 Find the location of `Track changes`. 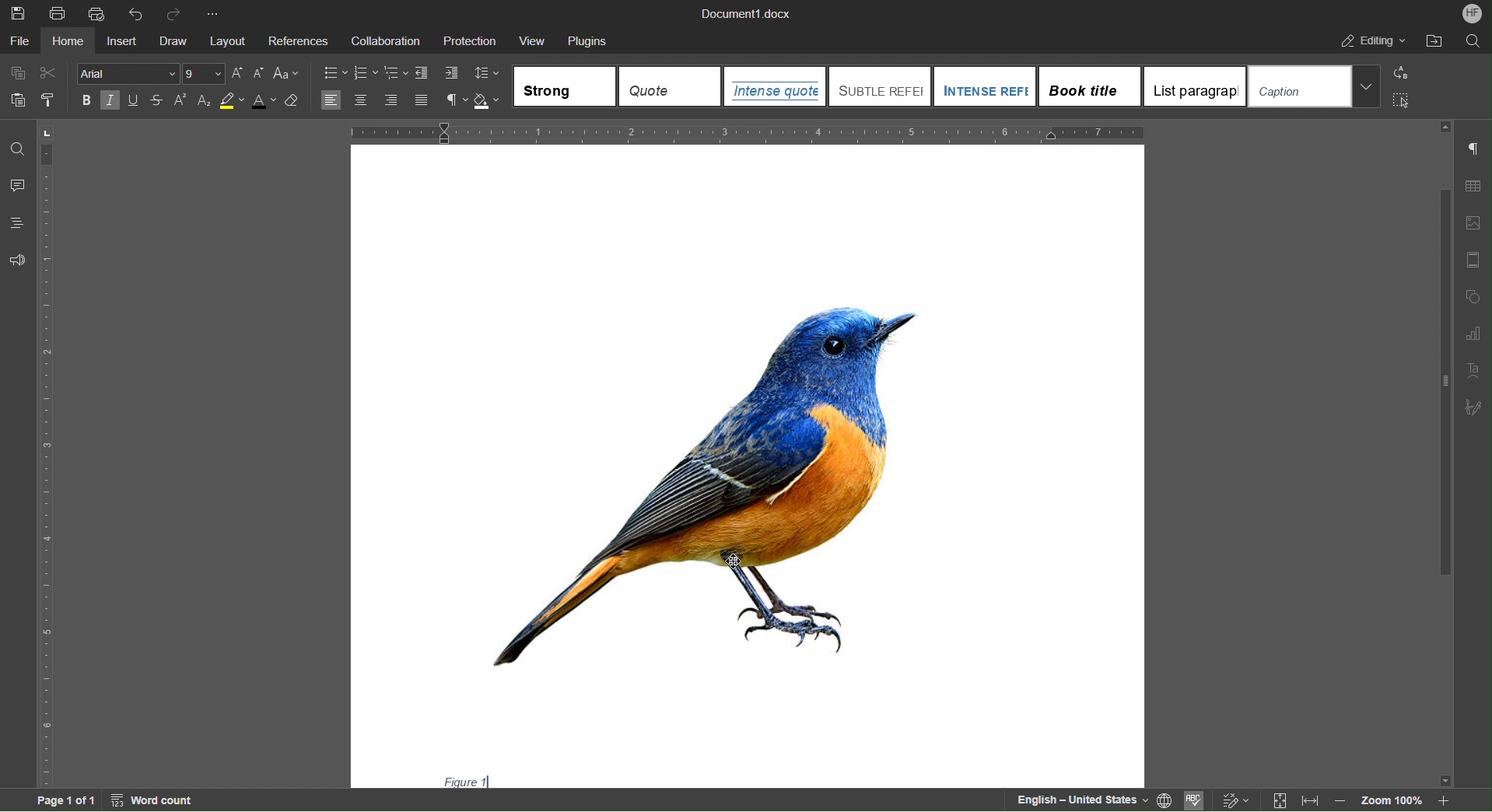

Track changes is located at coordinates (1234, 797).